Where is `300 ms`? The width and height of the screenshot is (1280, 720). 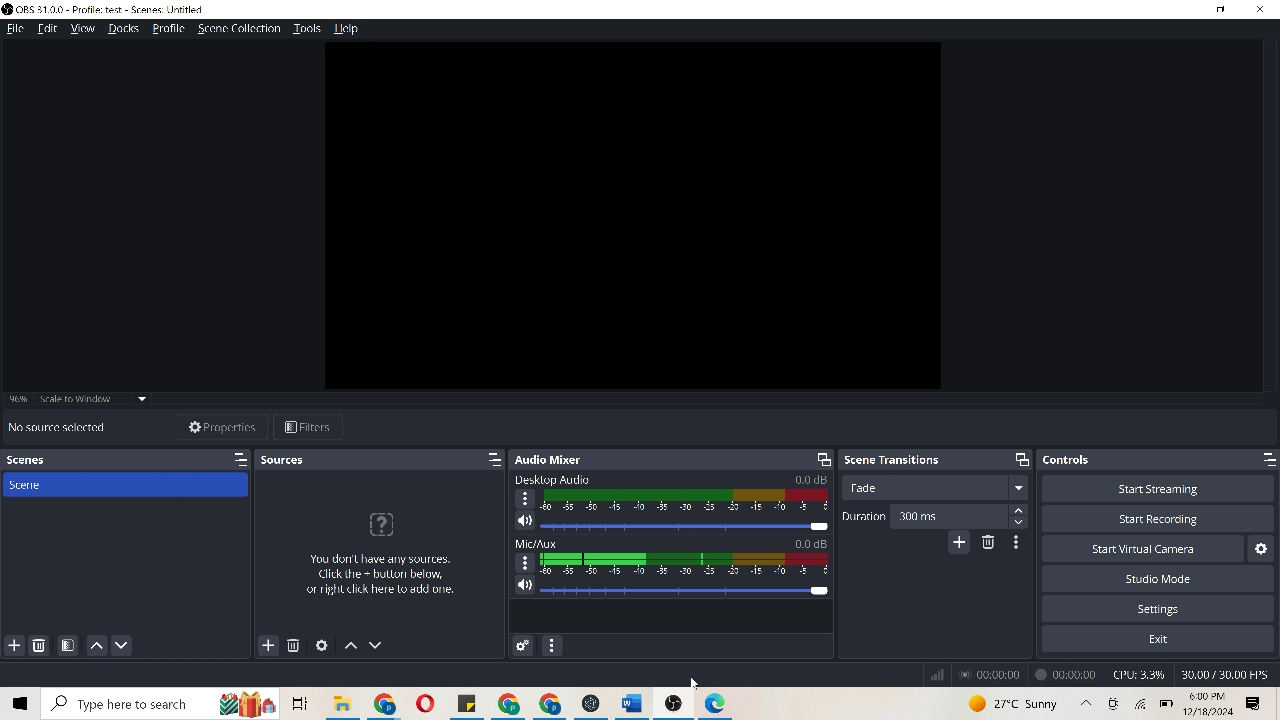
300 ms is located at coordinates (964, 517).